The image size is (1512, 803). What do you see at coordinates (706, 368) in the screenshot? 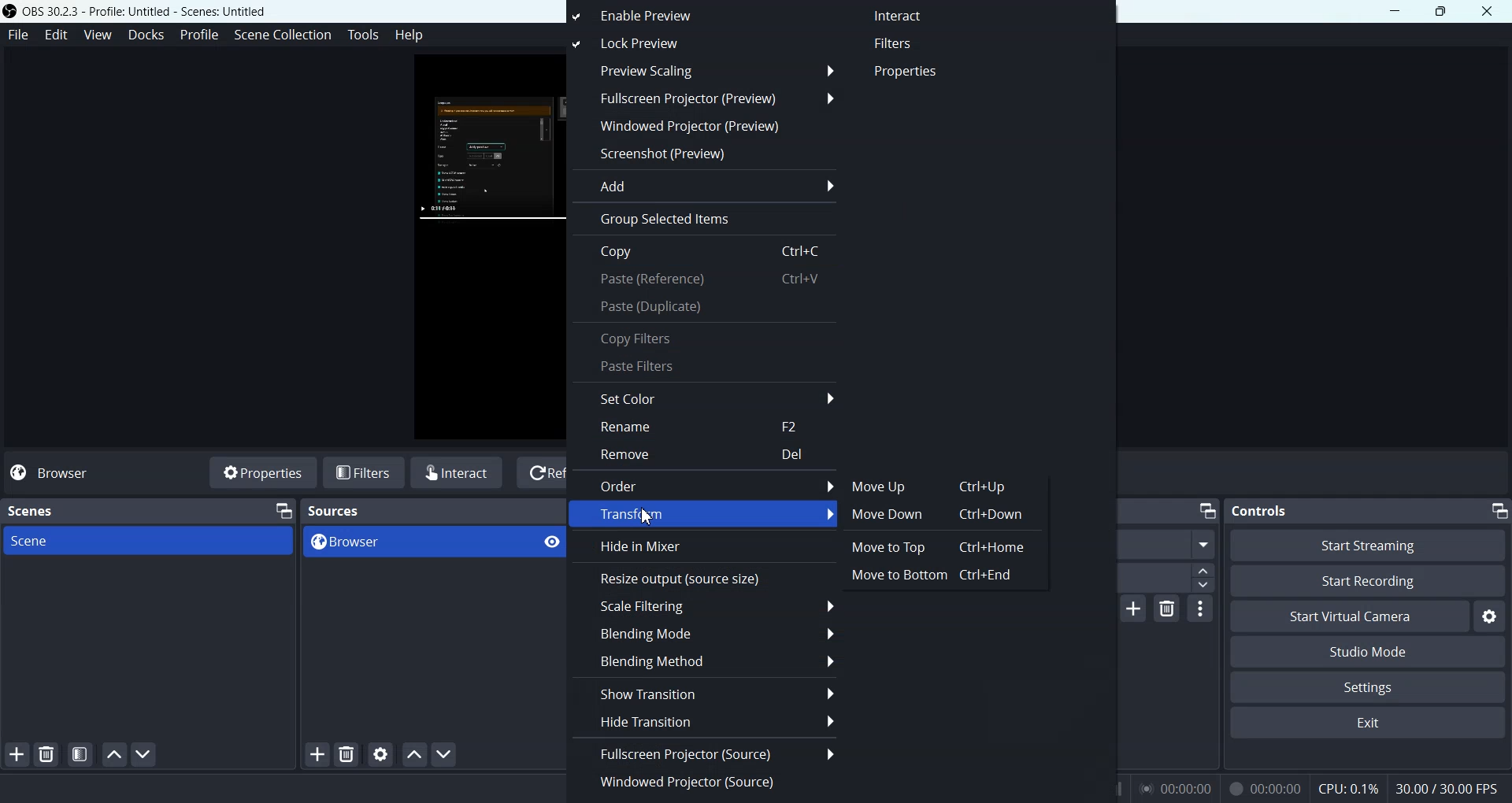
I see `Paste Filters` at bounding box center [706, 368].